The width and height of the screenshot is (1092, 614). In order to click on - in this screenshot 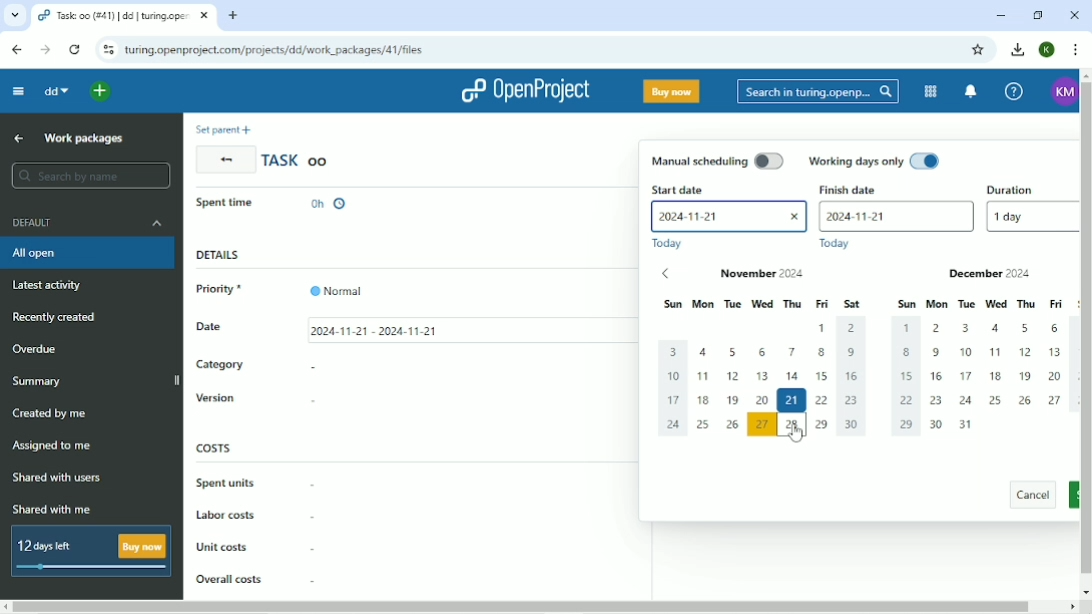, I will do `click(318, 403)`.